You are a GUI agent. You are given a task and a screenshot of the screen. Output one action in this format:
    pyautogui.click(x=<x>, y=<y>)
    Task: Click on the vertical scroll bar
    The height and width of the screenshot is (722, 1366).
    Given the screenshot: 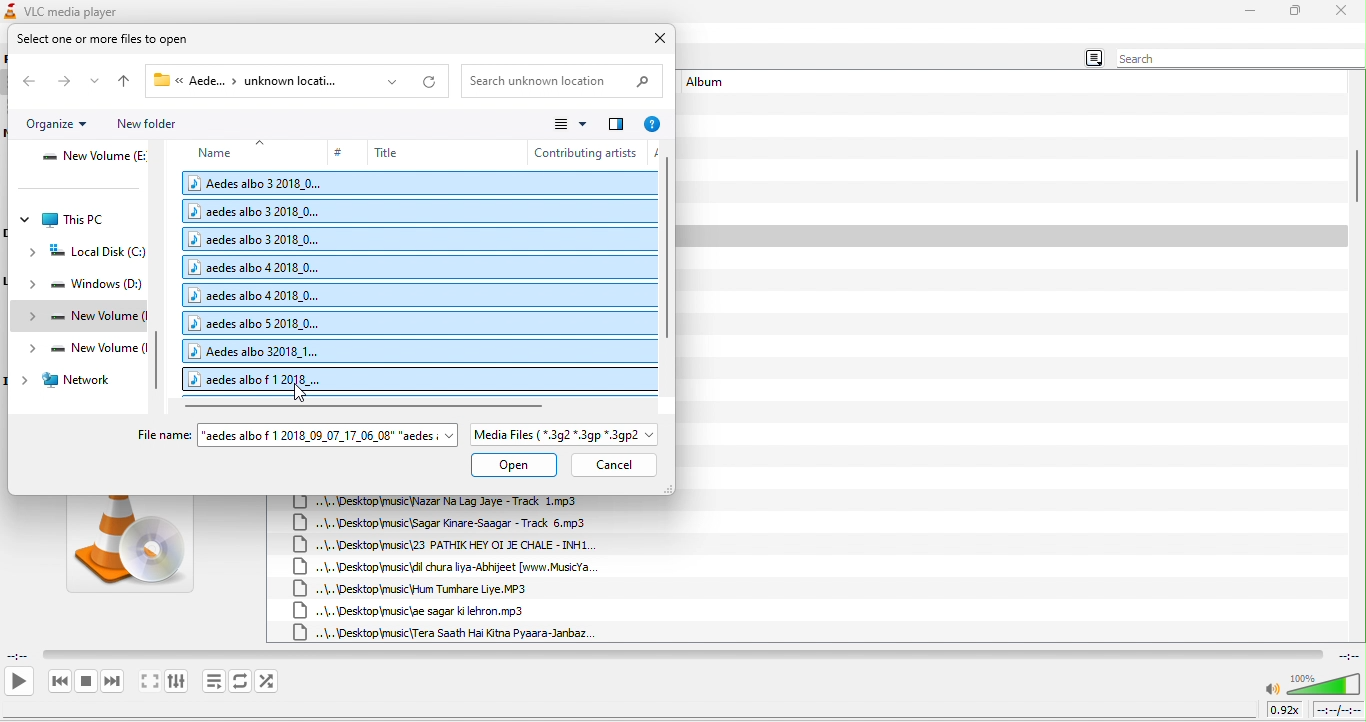 What is the action you would take?
    pyautogui.click(x=667, y=245)
    